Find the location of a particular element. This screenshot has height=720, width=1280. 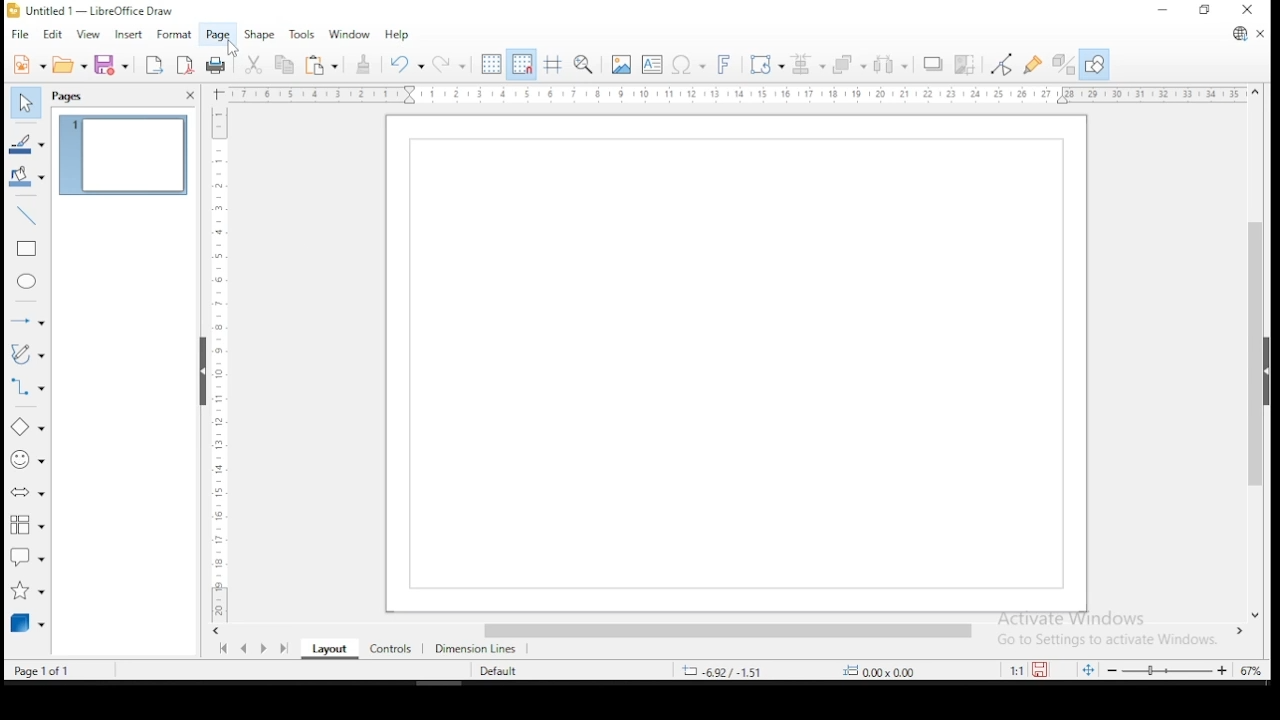

pages is located at coordinates (70, 96).